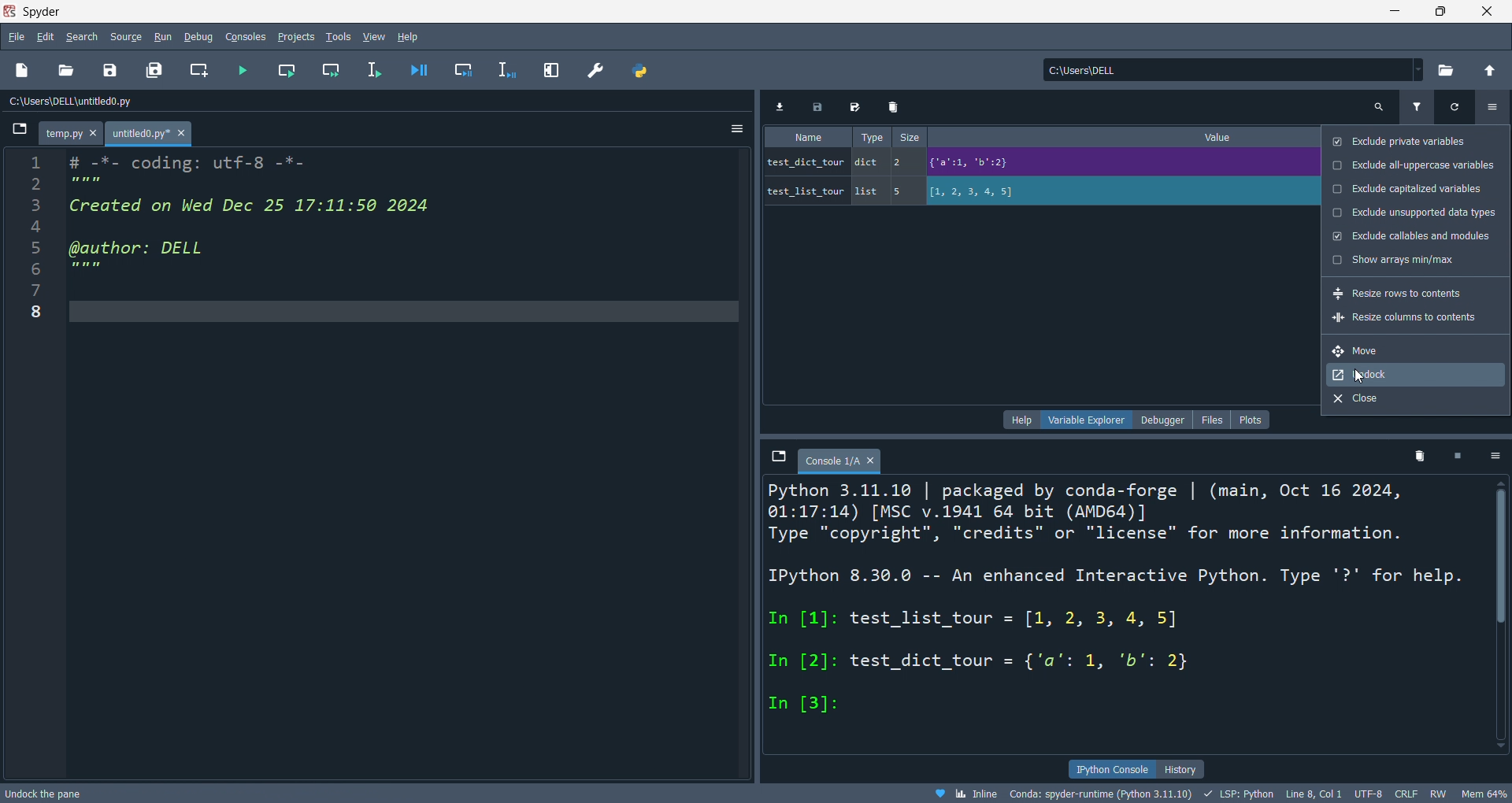 This screenshot has width=1512, height=803. What do you see at coordinates (331, 71) in the screenshot?
I see `run cell and move` at bounding box center [331, 71].